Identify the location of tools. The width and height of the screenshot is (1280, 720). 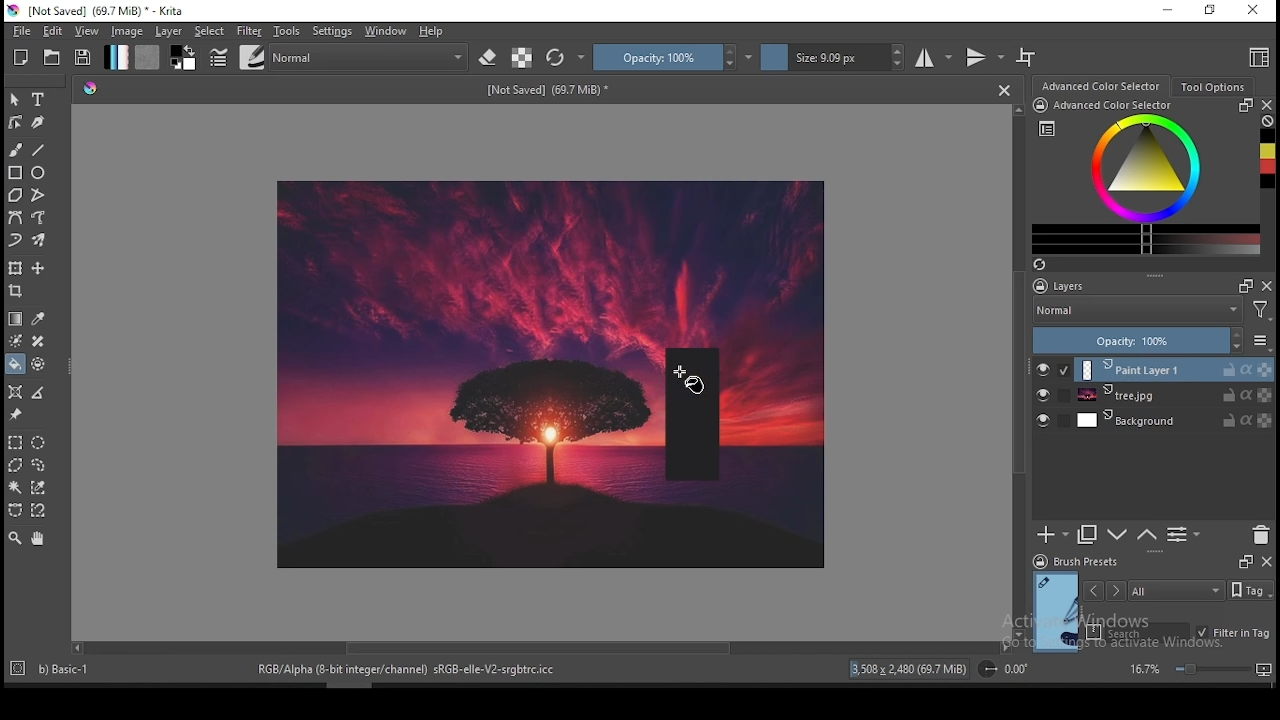
(287, 32).